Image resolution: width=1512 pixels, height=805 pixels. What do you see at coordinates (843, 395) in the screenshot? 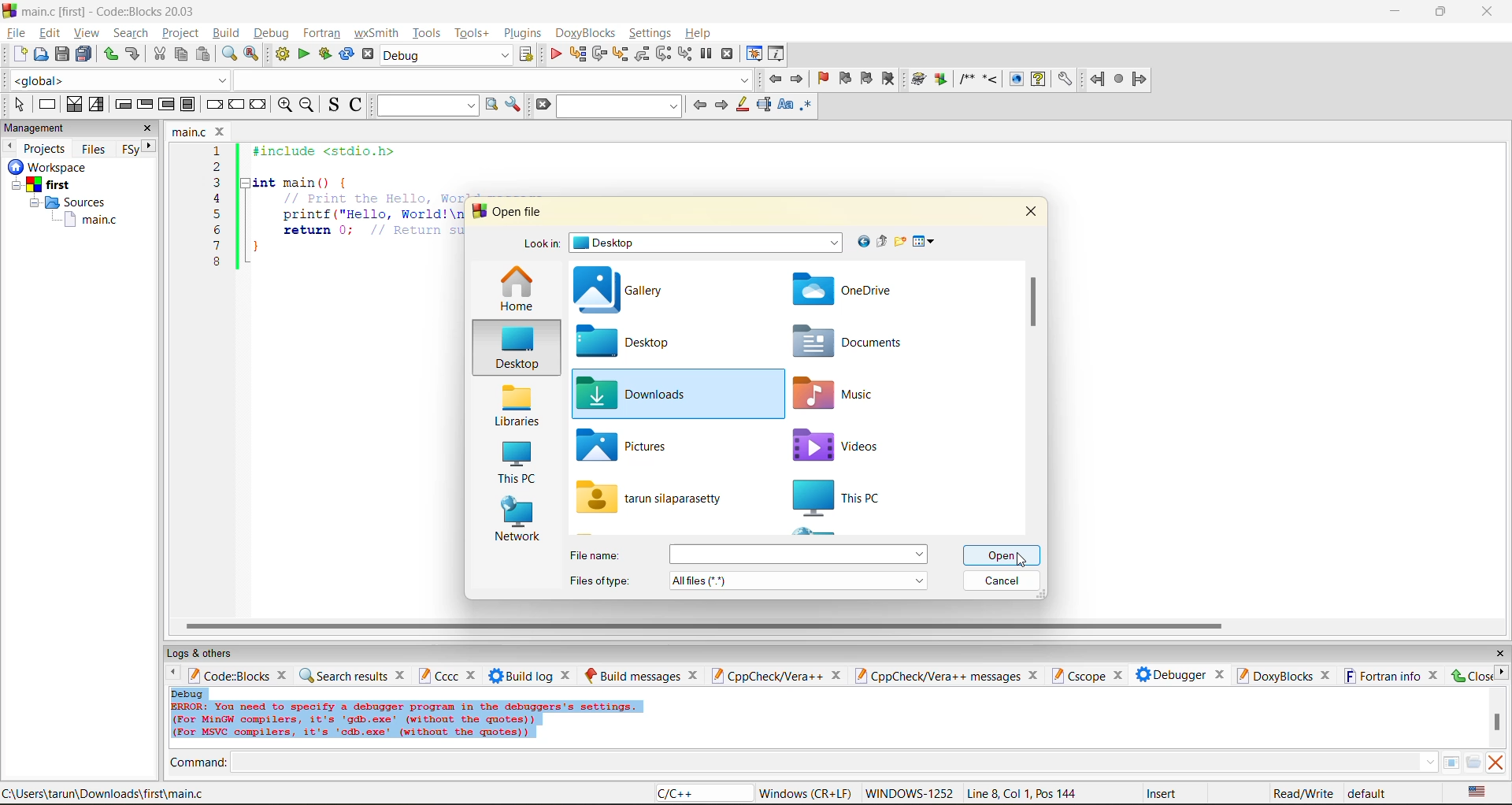
I see `music` at bounding box center [843, 395].